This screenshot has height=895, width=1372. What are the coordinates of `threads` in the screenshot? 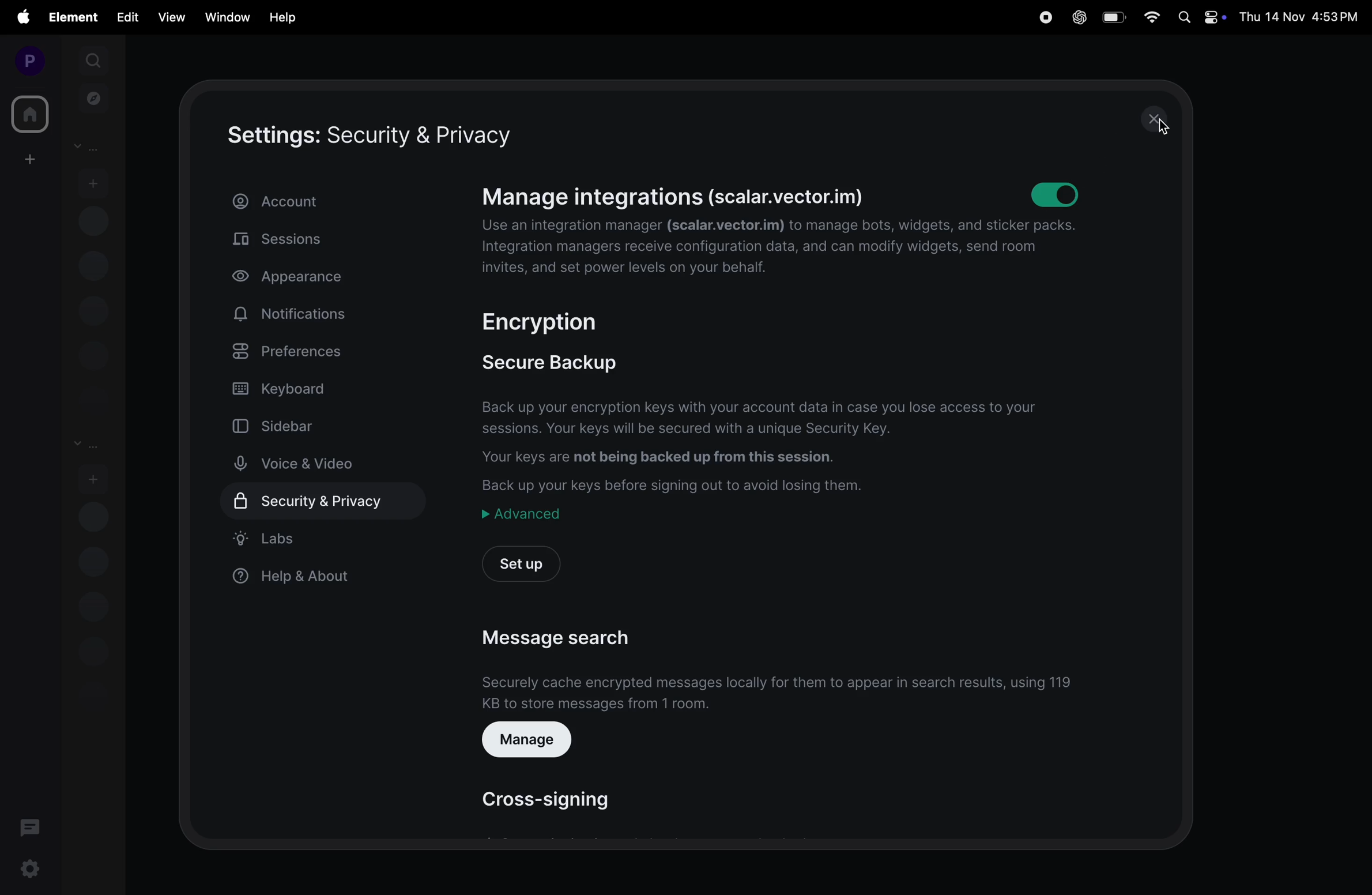 It's located at (31, 826).